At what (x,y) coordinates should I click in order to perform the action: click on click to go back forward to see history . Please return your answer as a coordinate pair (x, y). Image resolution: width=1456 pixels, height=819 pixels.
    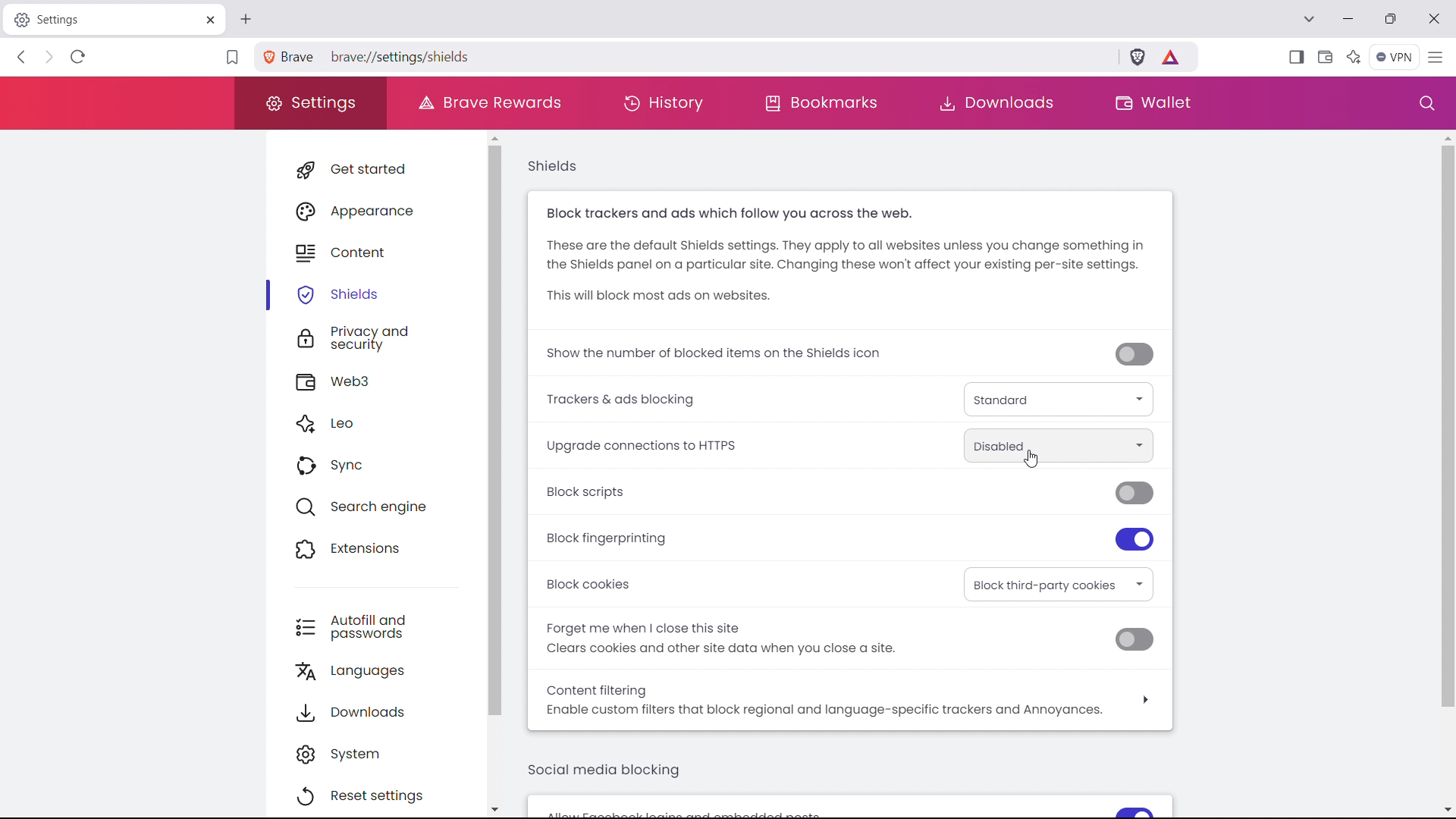
    Looking at the image, I should click on (47, 56).